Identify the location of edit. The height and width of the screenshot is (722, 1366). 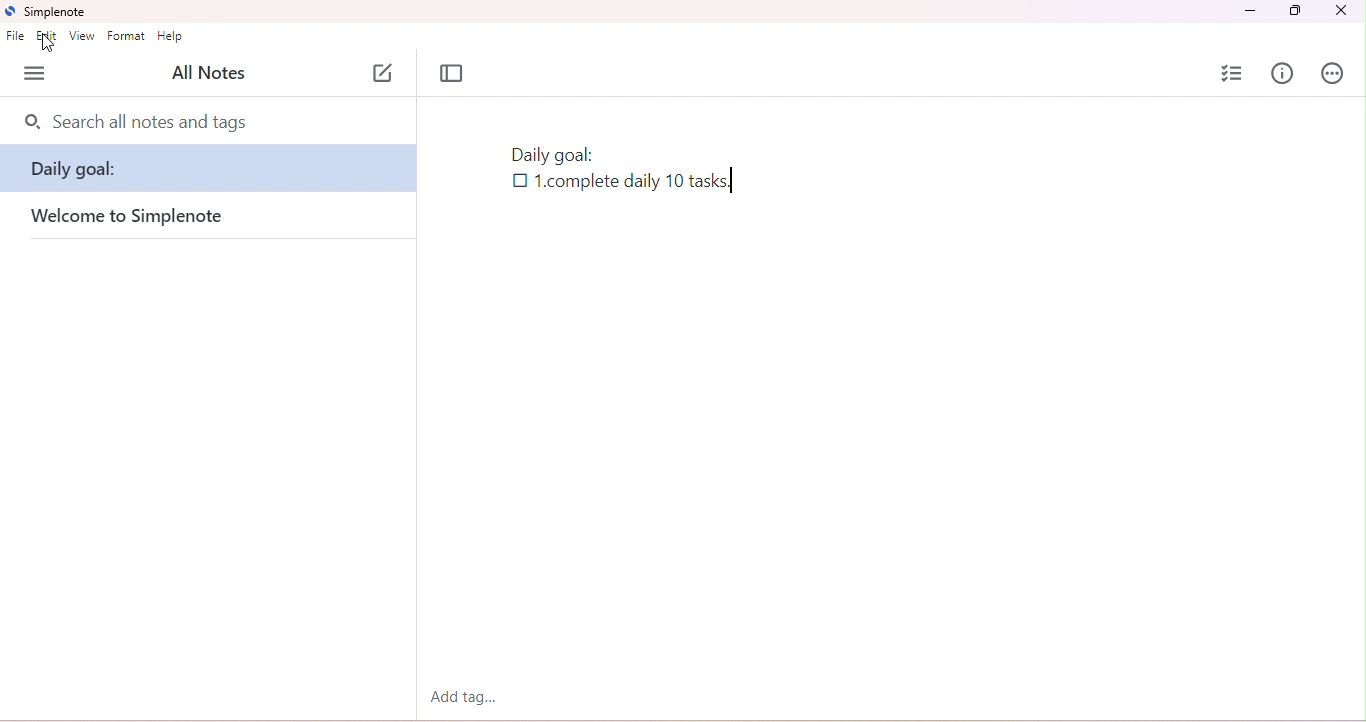
(48, 36).